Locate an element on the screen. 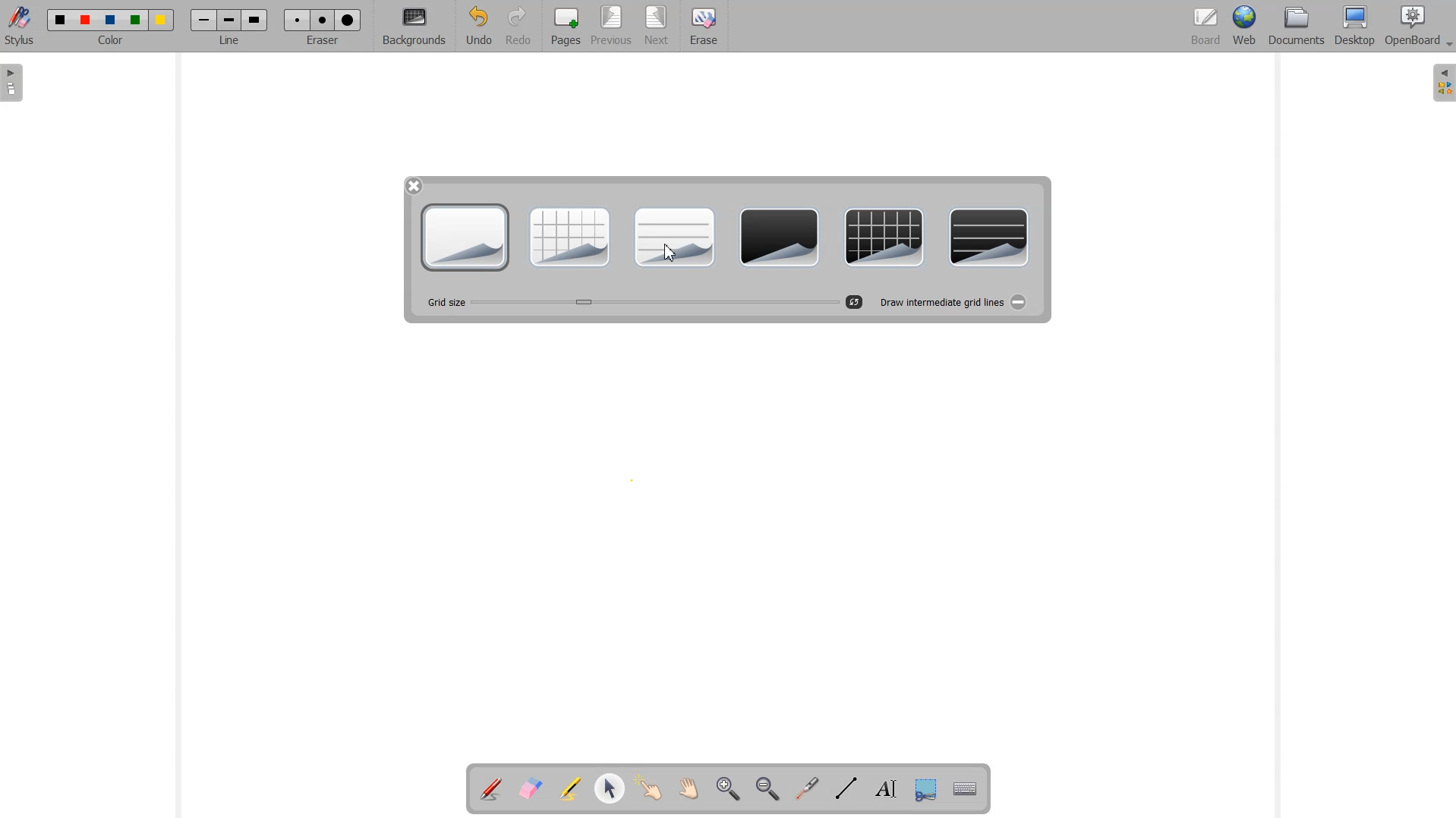  Text Tool is located at coordinates (883, 789).